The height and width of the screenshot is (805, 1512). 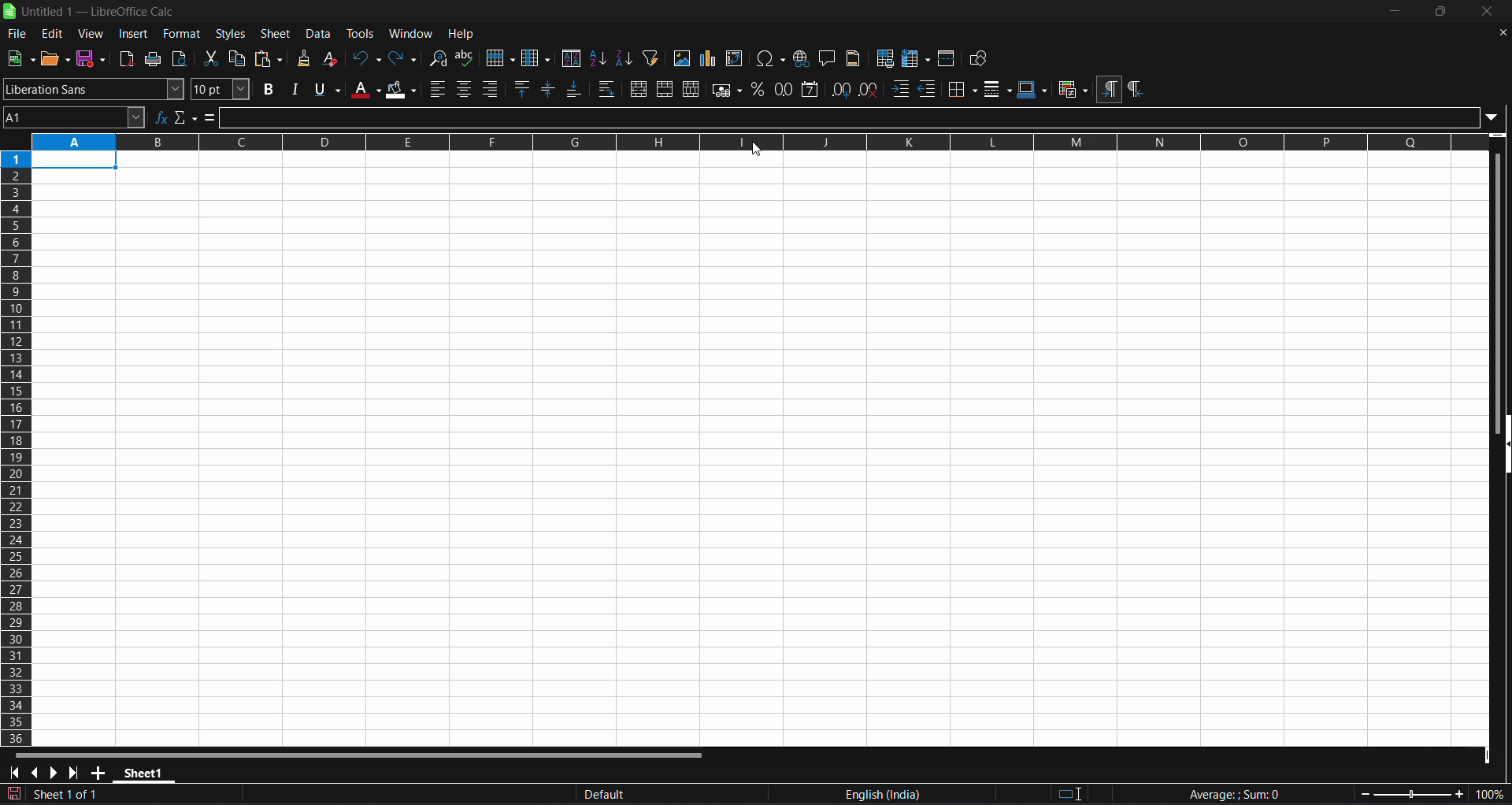 What do you see at coordinates (501, 58) in the screenshot?
I see `row` at bounding box center [501, 58].